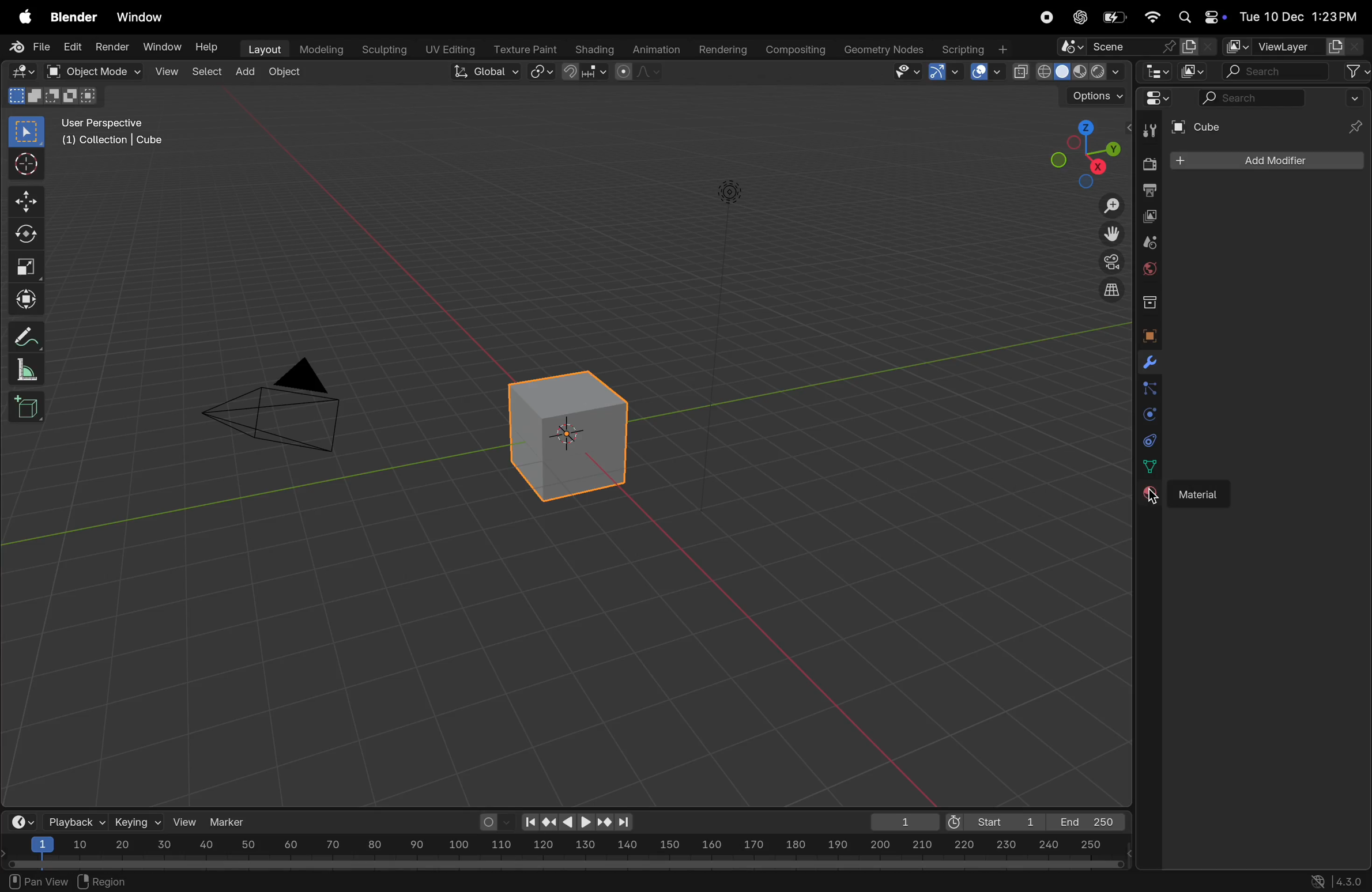 The height and width of the screenshot is (892, 1372). What do you see at coordinates (246, 69) in the screenshot?
I see `add` at bounding box center [246, 69].